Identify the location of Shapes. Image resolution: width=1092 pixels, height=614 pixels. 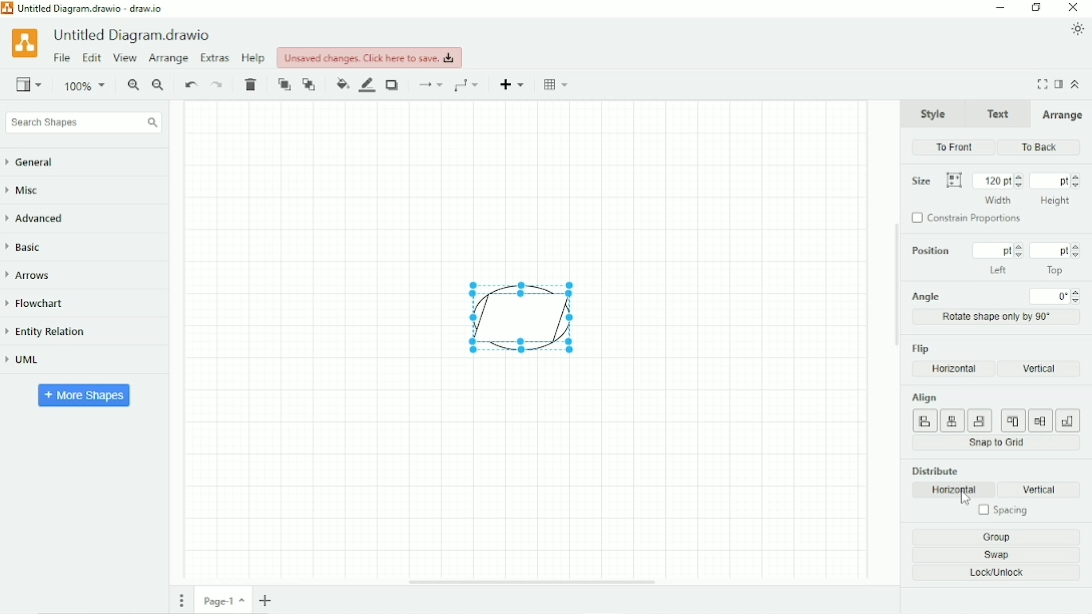
(511, 317).